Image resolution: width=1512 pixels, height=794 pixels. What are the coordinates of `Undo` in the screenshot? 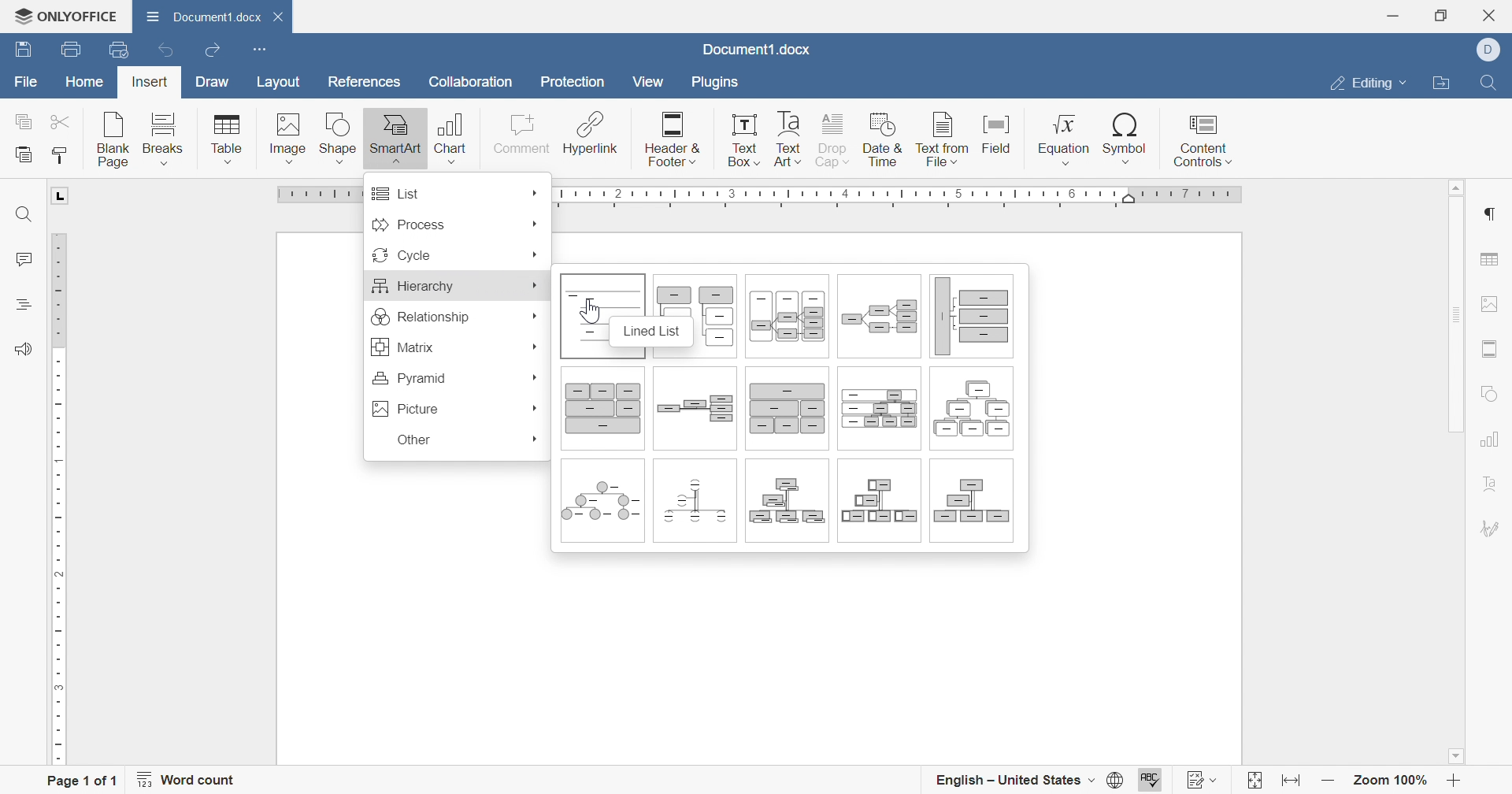 It's located at (162, 50).